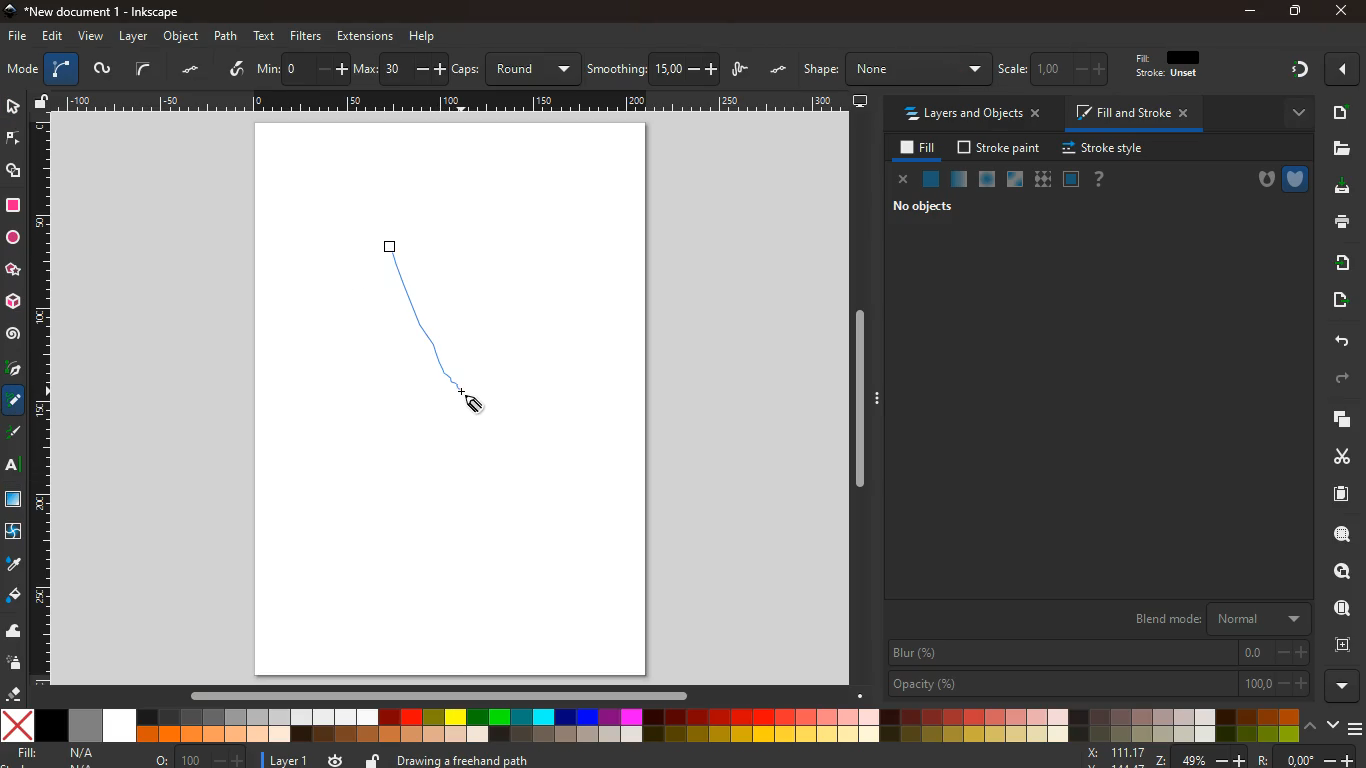 The height and width of the screenshot is (768, 1366). What do you see at coordinates (41, 399) in the screenshot?
I see `Scale` at bounding box center [41, 399].